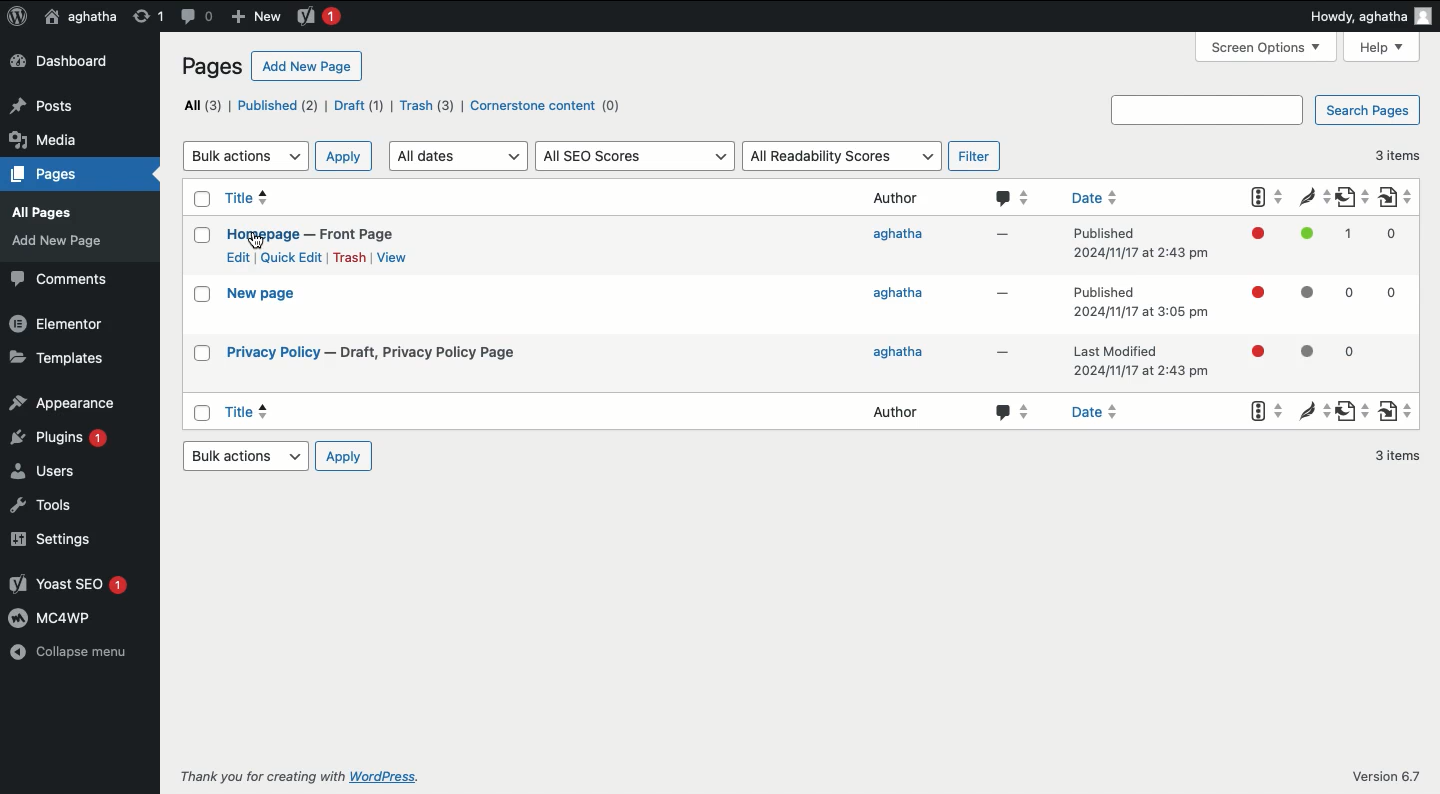 The image size is (1440, 794). What do you see at coordinates (1256, 303) in the screenshot?
I see `SEO` at bounding box center [1256, 303].